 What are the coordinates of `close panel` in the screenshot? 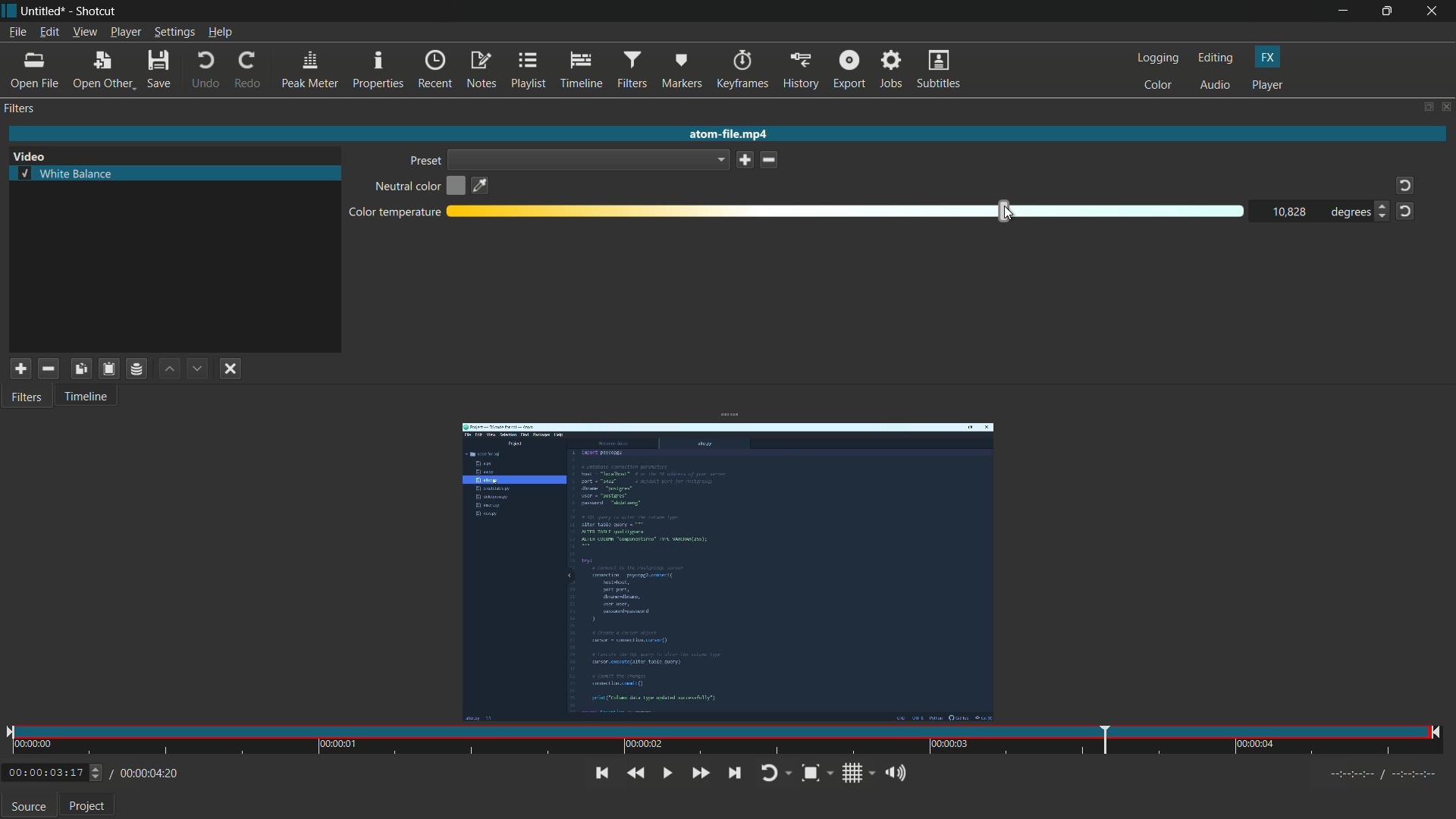 It's located at (1447, 106).